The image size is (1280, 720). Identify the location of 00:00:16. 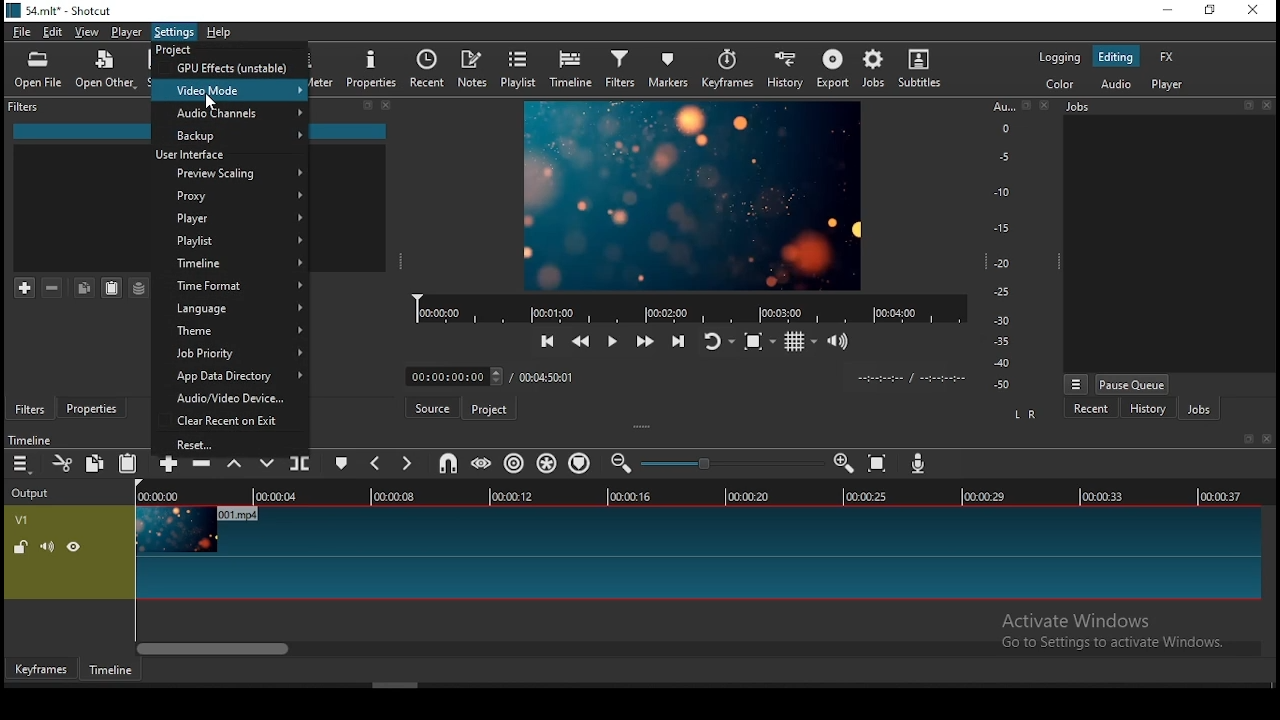
(631, 496).